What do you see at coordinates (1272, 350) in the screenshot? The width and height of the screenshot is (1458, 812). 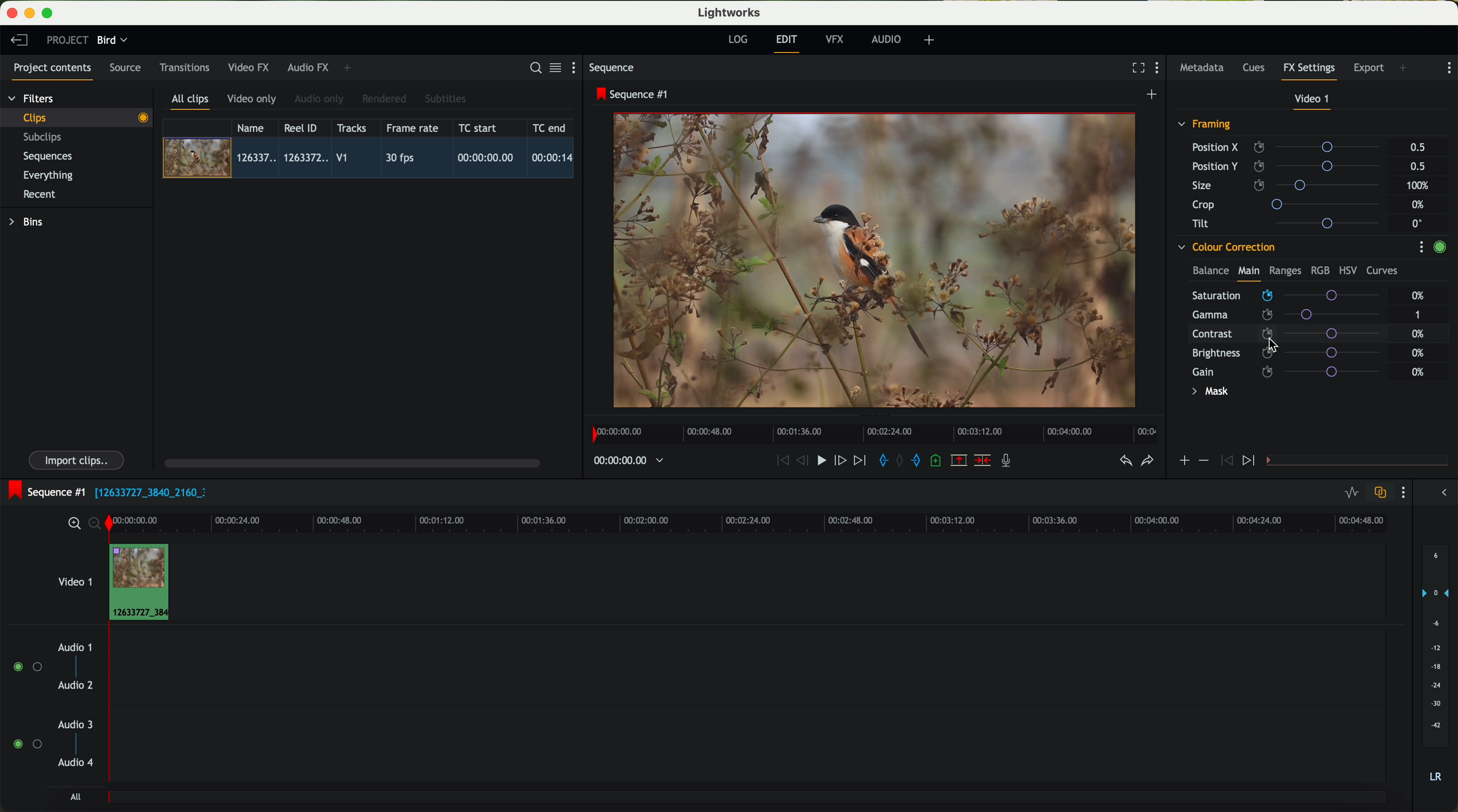 I see `Mouse Cursor` at bounding box center [1272, 350].